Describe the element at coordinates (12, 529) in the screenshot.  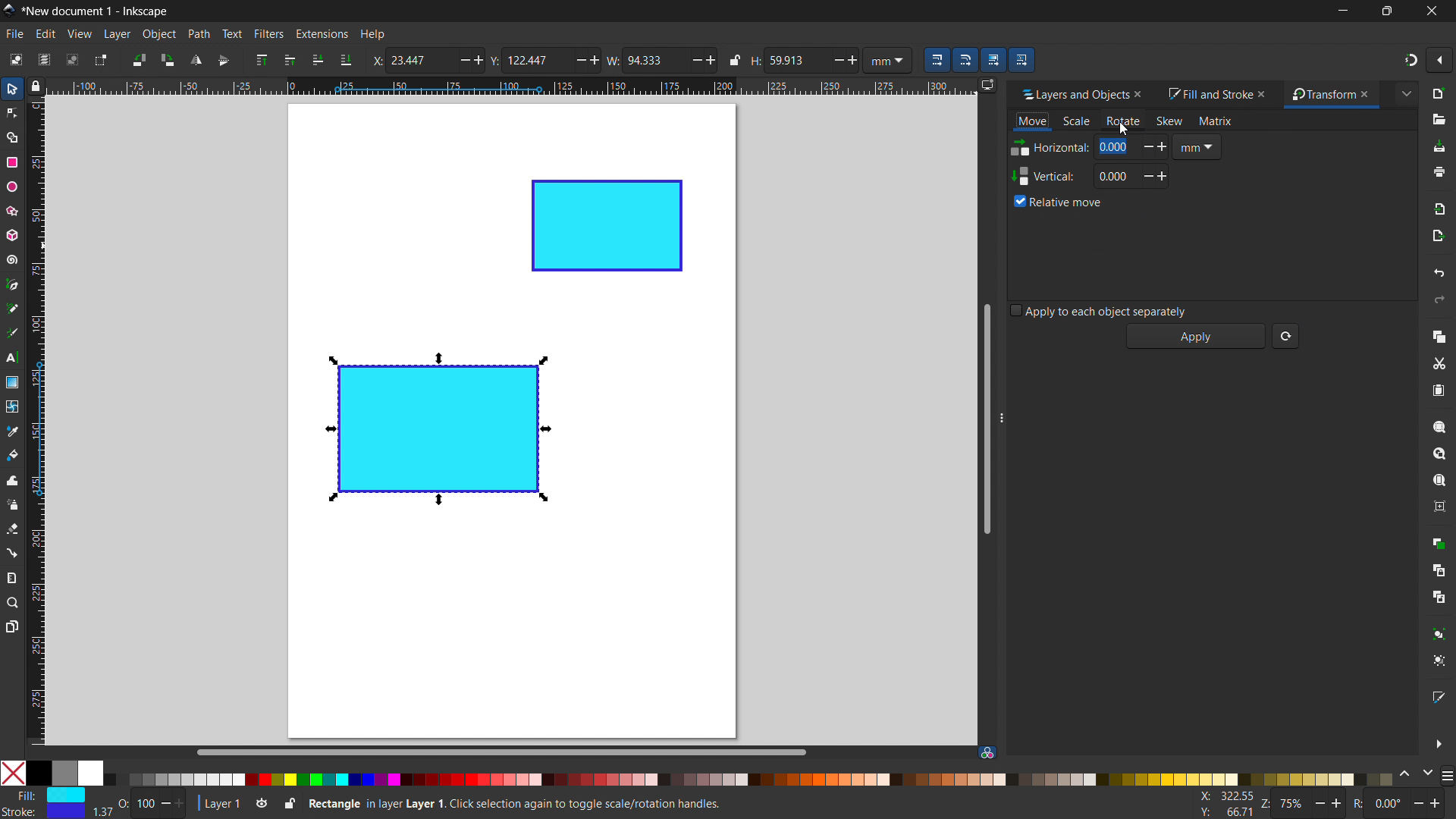
I see `erasor tool` at that location.